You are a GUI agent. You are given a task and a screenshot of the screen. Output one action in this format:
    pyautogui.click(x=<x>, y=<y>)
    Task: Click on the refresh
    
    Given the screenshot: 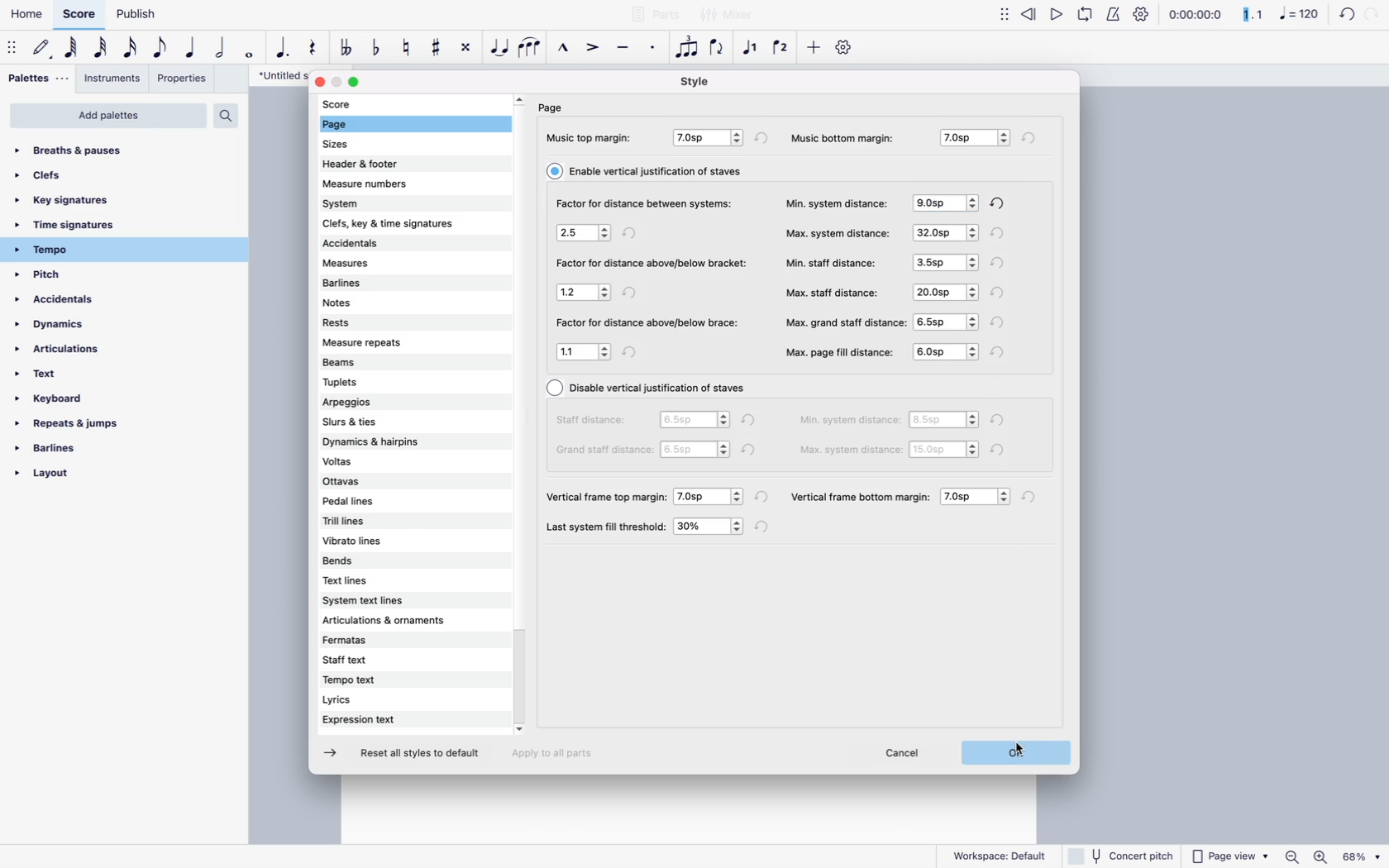 What is the action you would take?
    pyautogui.click(x=764, y=527)
    